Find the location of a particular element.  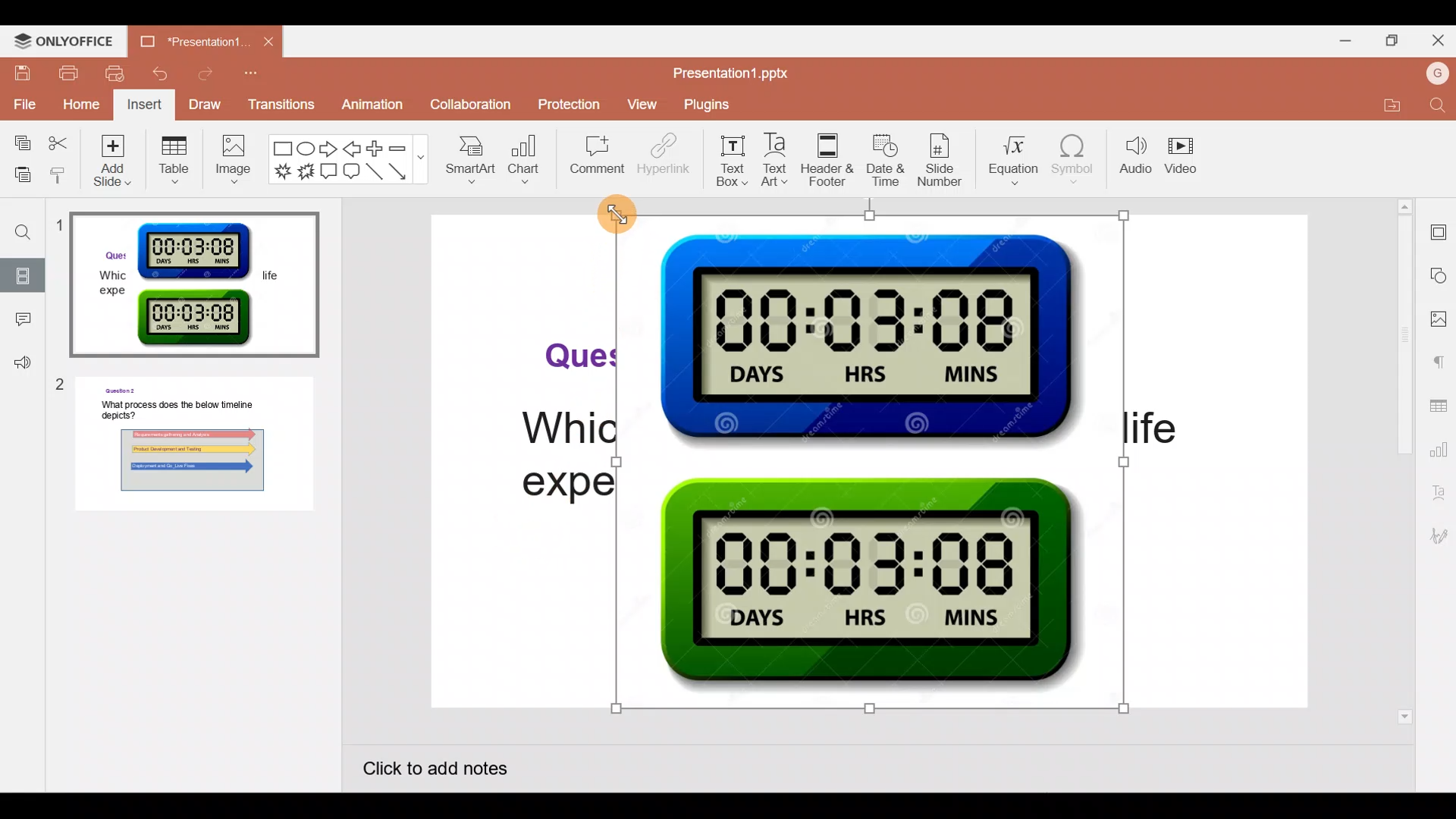

Draw is located at coordinates (209, 104).